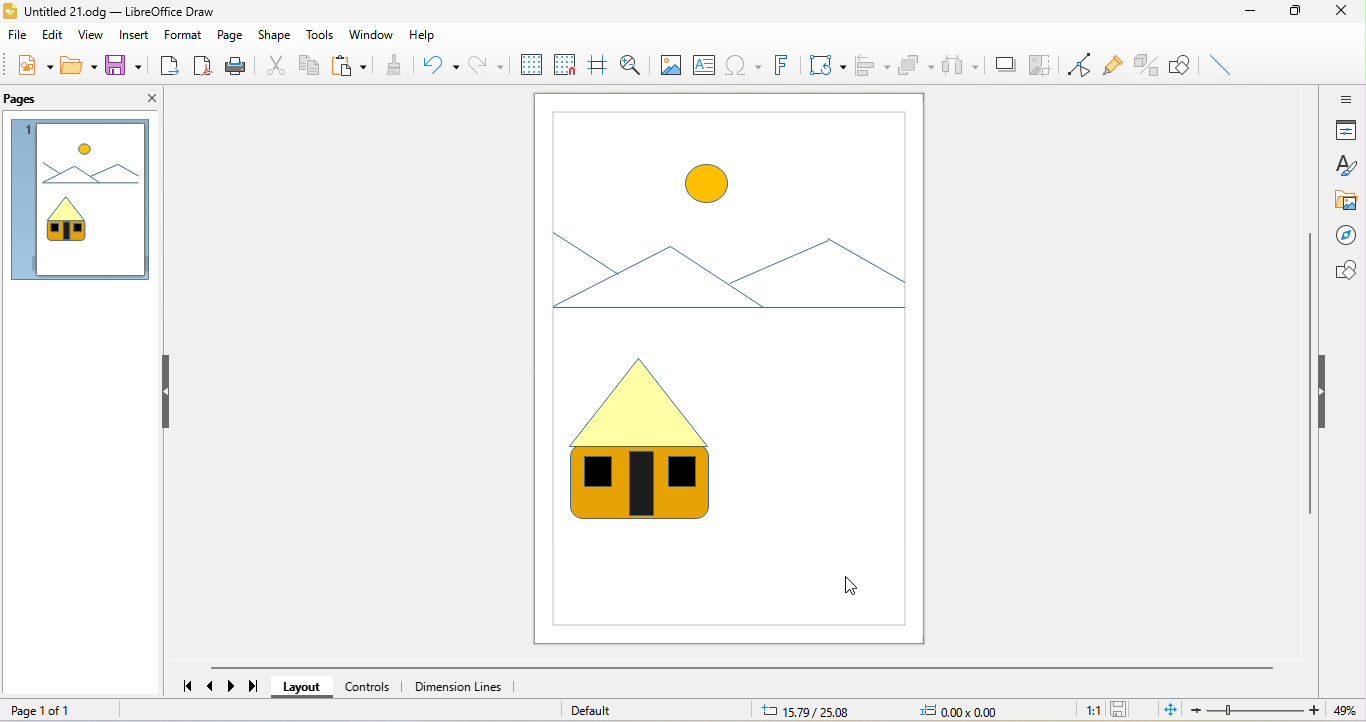  I want to click on export as pdf, so click(202, 64).